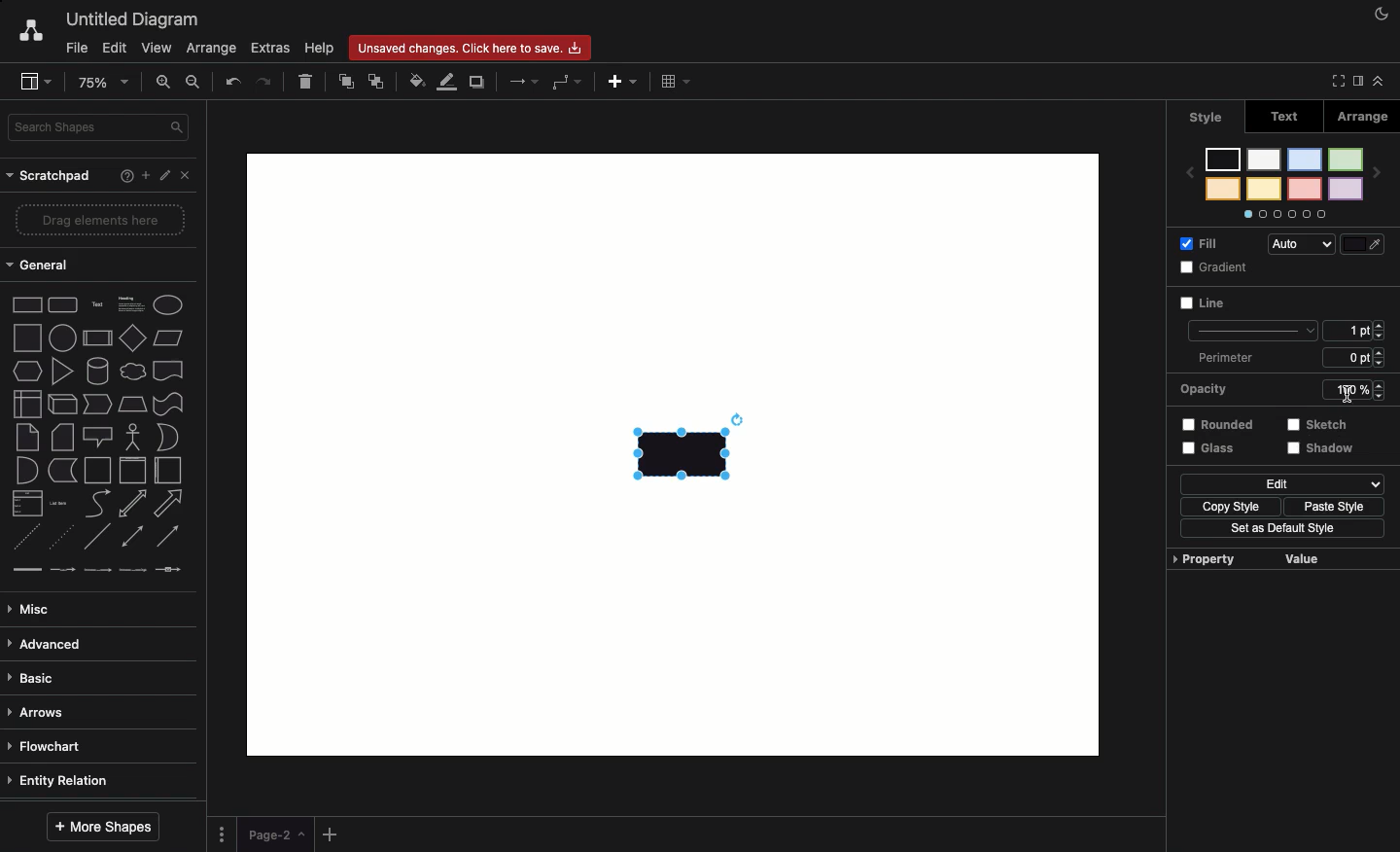 This screenshot has height=852, width=1400. What do you see at coordinates (1319, 424) in the screenshot?
I see `Sketch` at bounding box center [1319, 424].